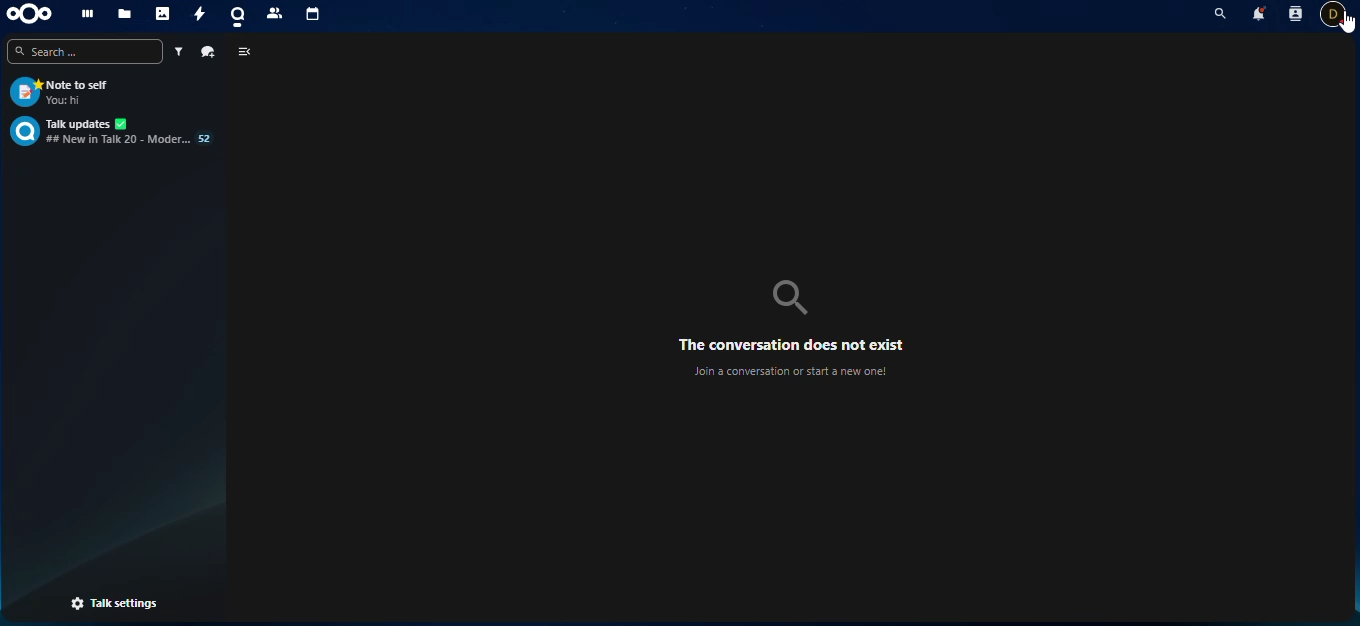  Describe the element at coordinates (314, 17) in the screenshot. I see `calendar` at that location.